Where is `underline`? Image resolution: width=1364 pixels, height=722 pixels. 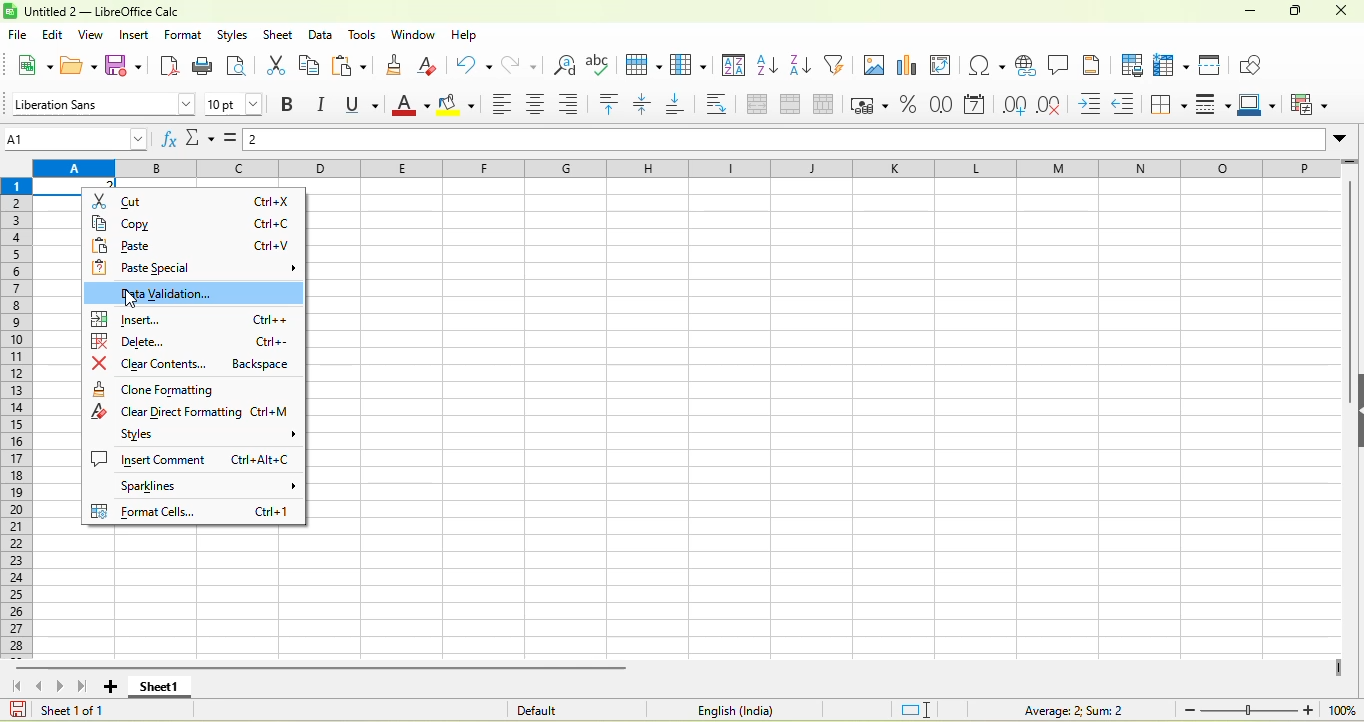
underline is located at coordinates (367, 105).